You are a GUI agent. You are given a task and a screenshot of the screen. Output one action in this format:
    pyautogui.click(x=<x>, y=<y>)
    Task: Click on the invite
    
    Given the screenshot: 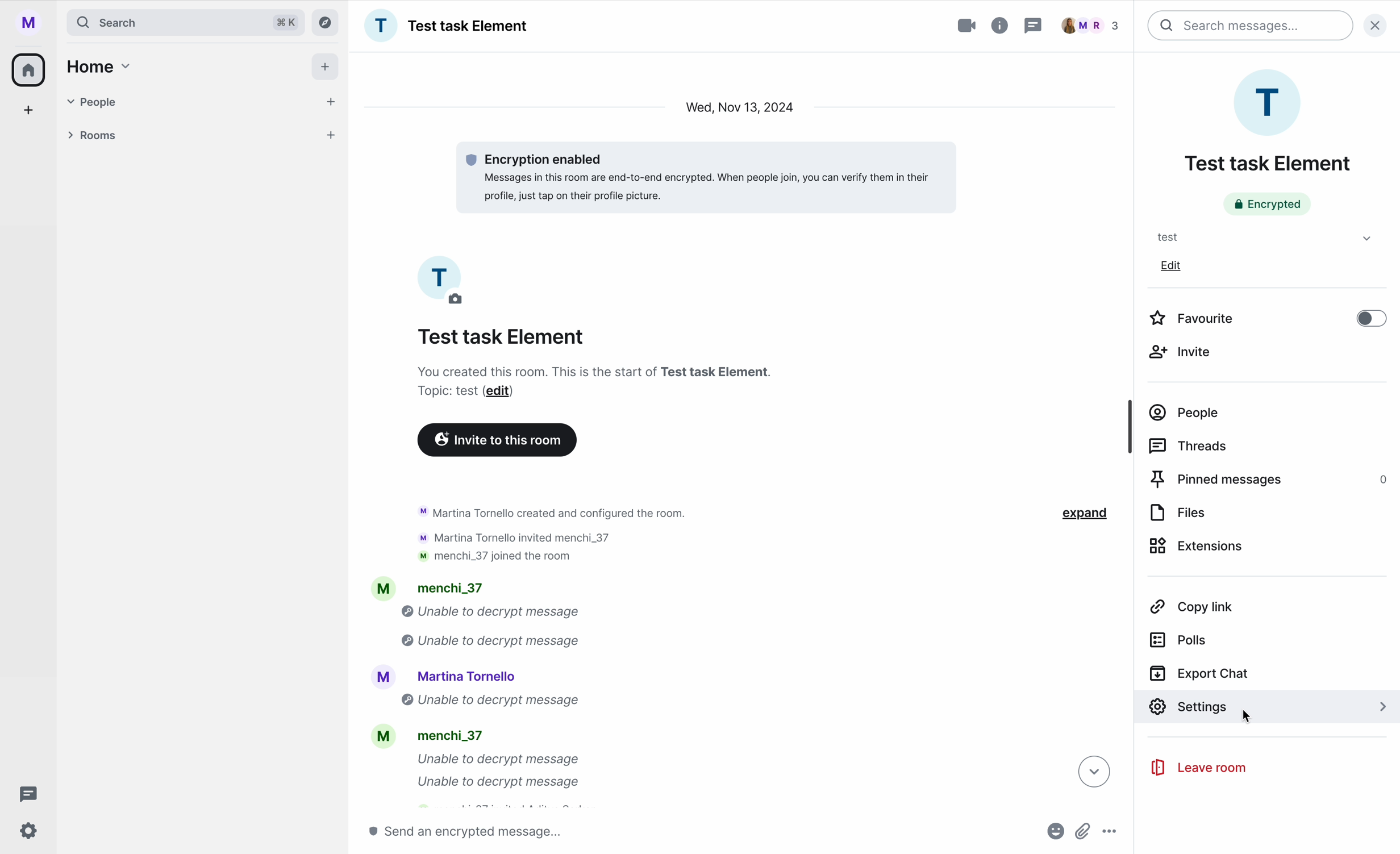 What is the action you would take?
    pyautogui.click(x=1186, y=351)
    